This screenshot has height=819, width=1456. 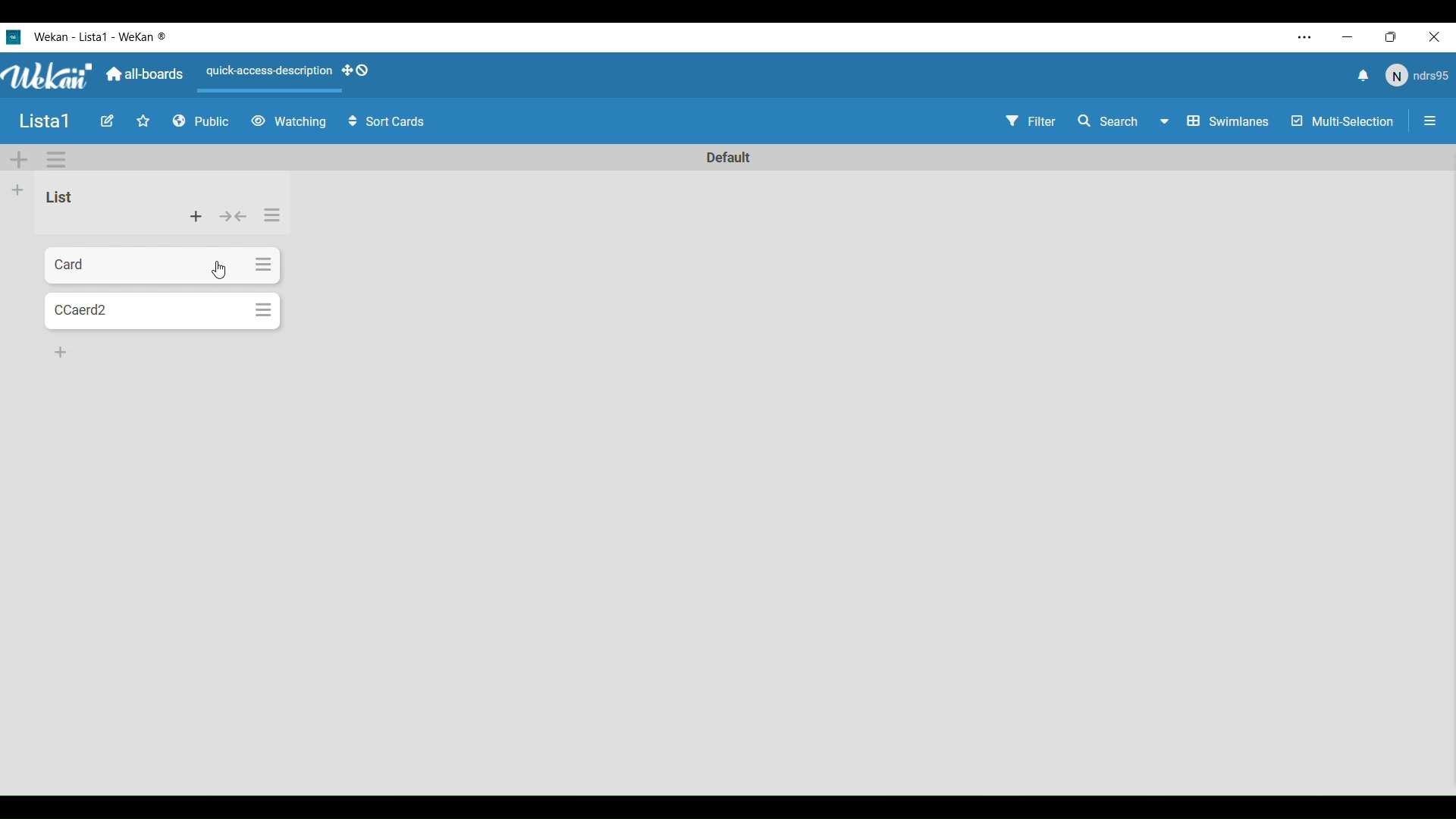 What do you see at coordinates (262, 265) in the screenshot?
I see `Card actions` at bounding box center [262, 265].